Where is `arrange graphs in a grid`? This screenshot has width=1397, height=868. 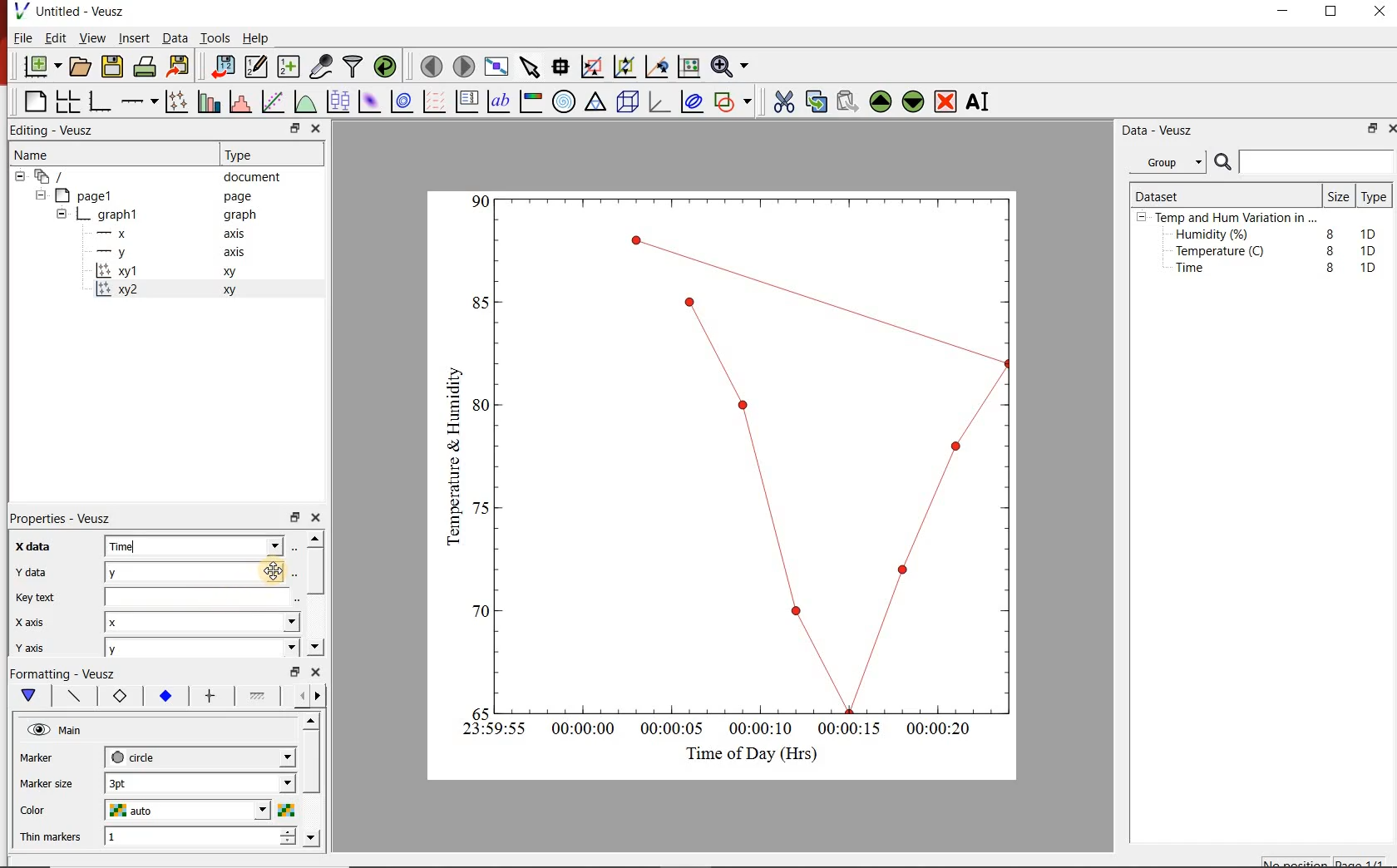
arrange graphs in a grid is located at coordinates (70, 99).